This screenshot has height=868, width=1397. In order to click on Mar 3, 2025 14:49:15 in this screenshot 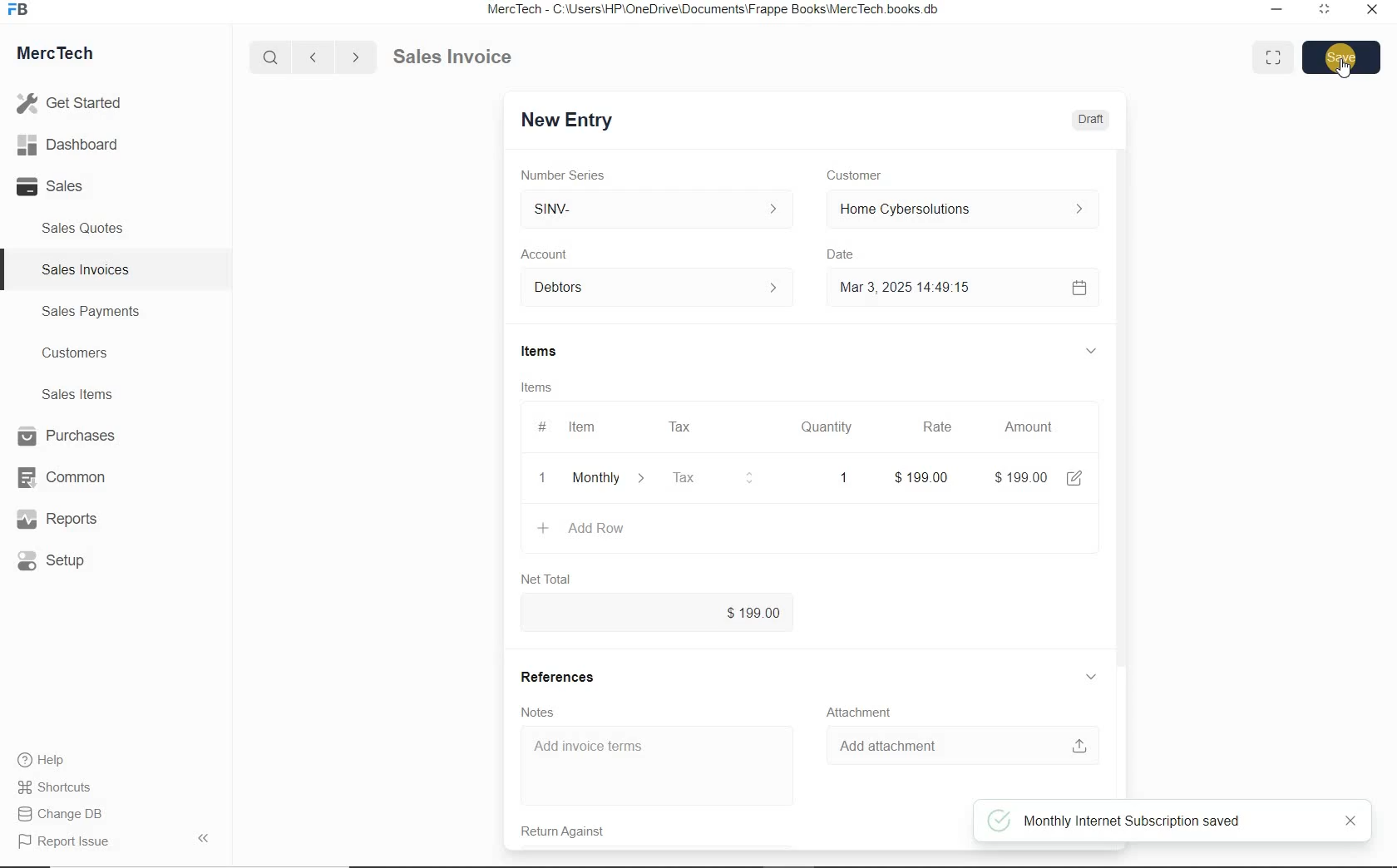, I will do `click(910, 287)`.